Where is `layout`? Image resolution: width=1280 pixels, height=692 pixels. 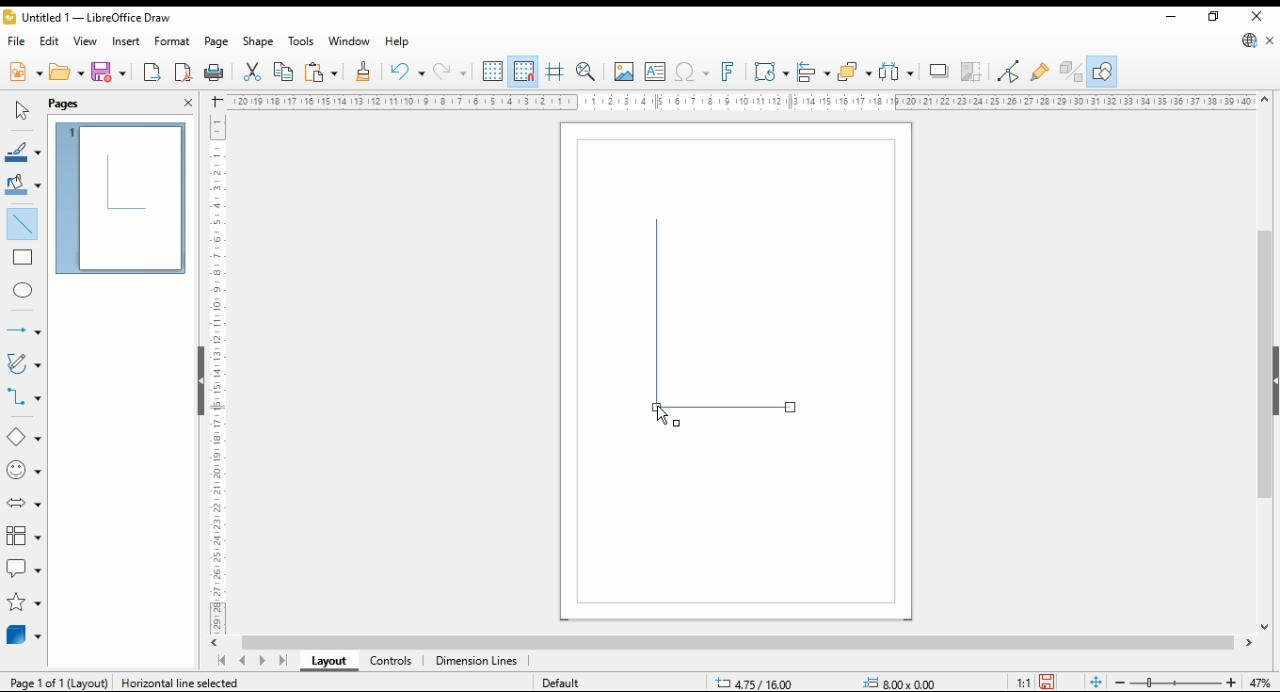
layout is located at coordinates (328, 662).